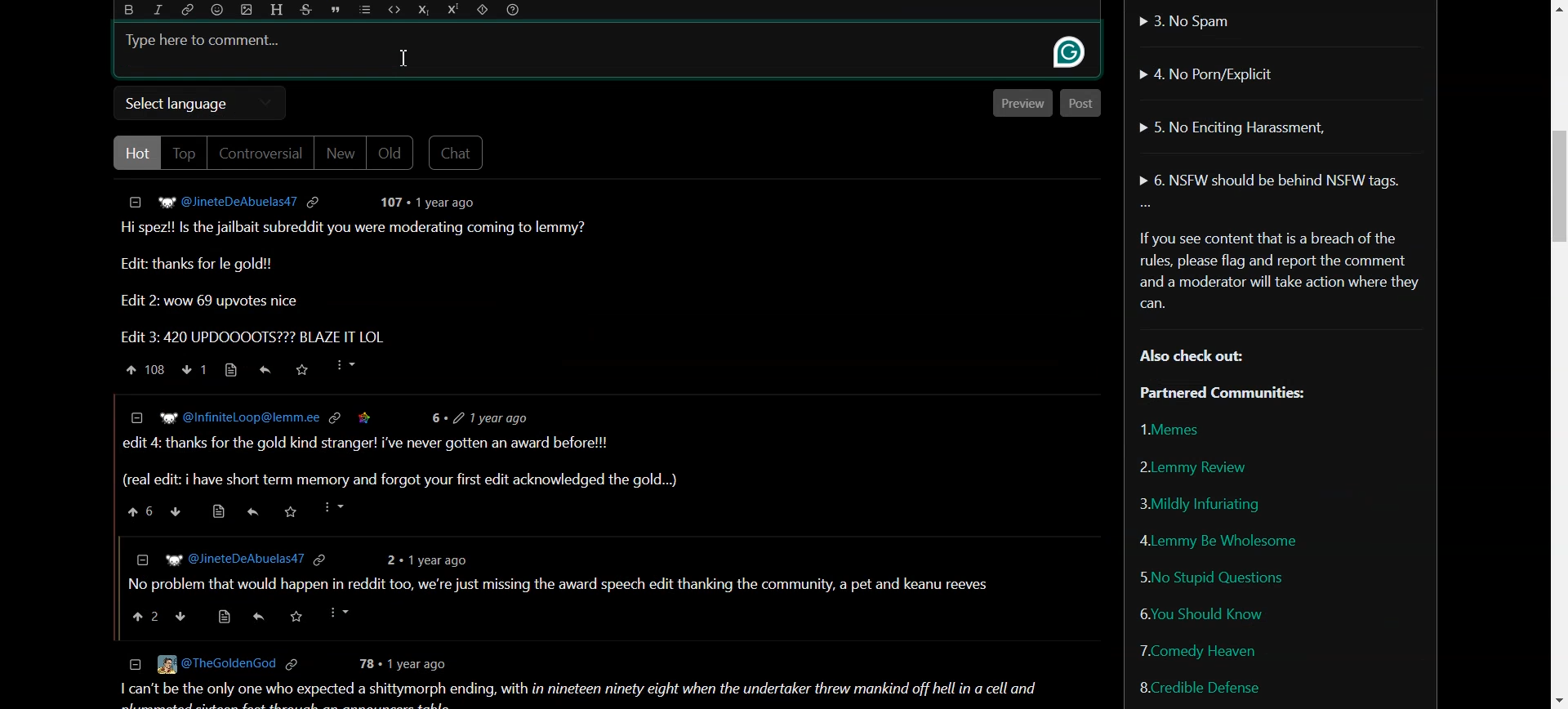 The image size is (1568, 709). Describe the element at coordinates (1212, 73) in the screenshot. I see `No Porn/Explicit` at that location.